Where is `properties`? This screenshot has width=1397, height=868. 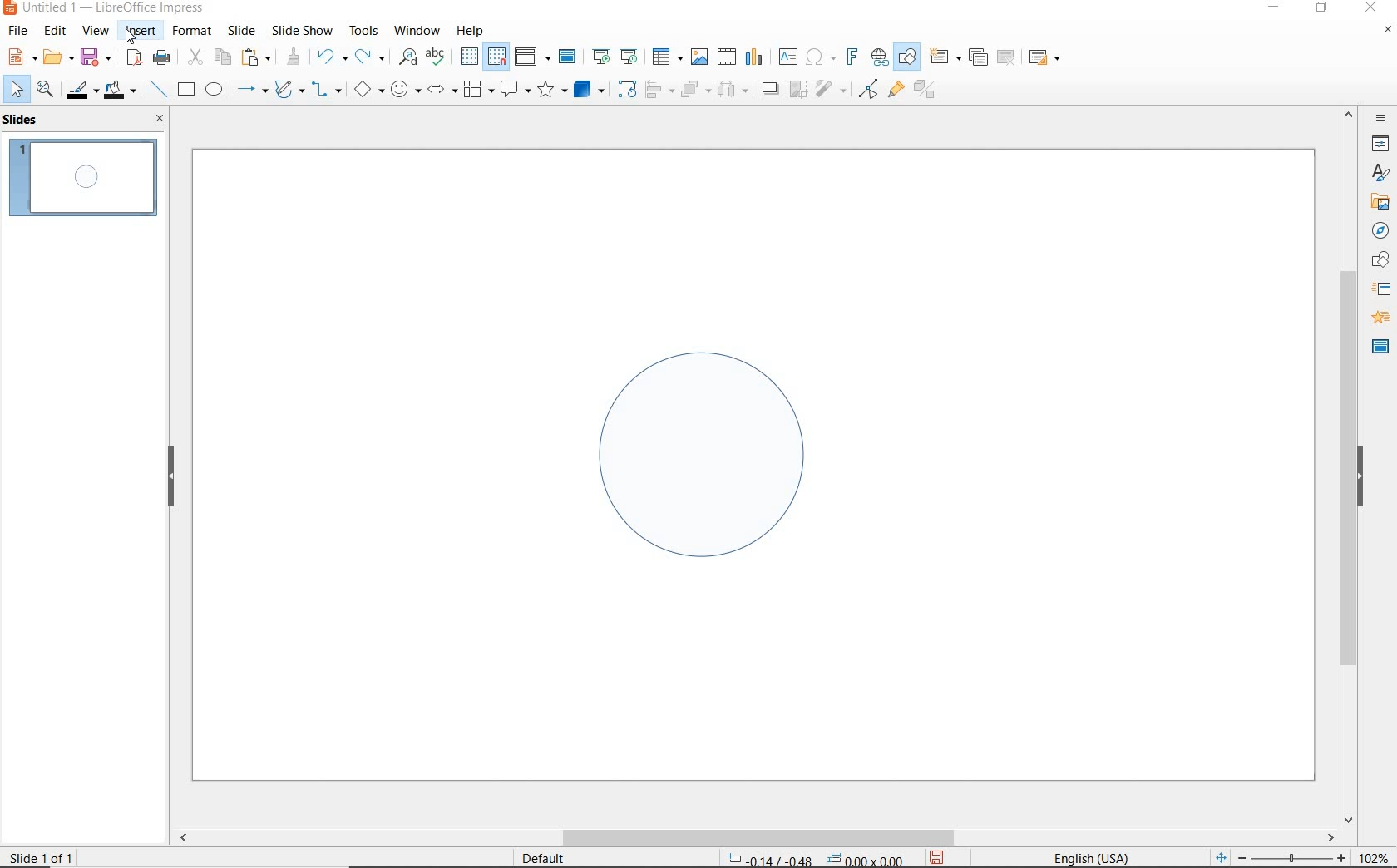
properties is located at coordinates (1379, 143).